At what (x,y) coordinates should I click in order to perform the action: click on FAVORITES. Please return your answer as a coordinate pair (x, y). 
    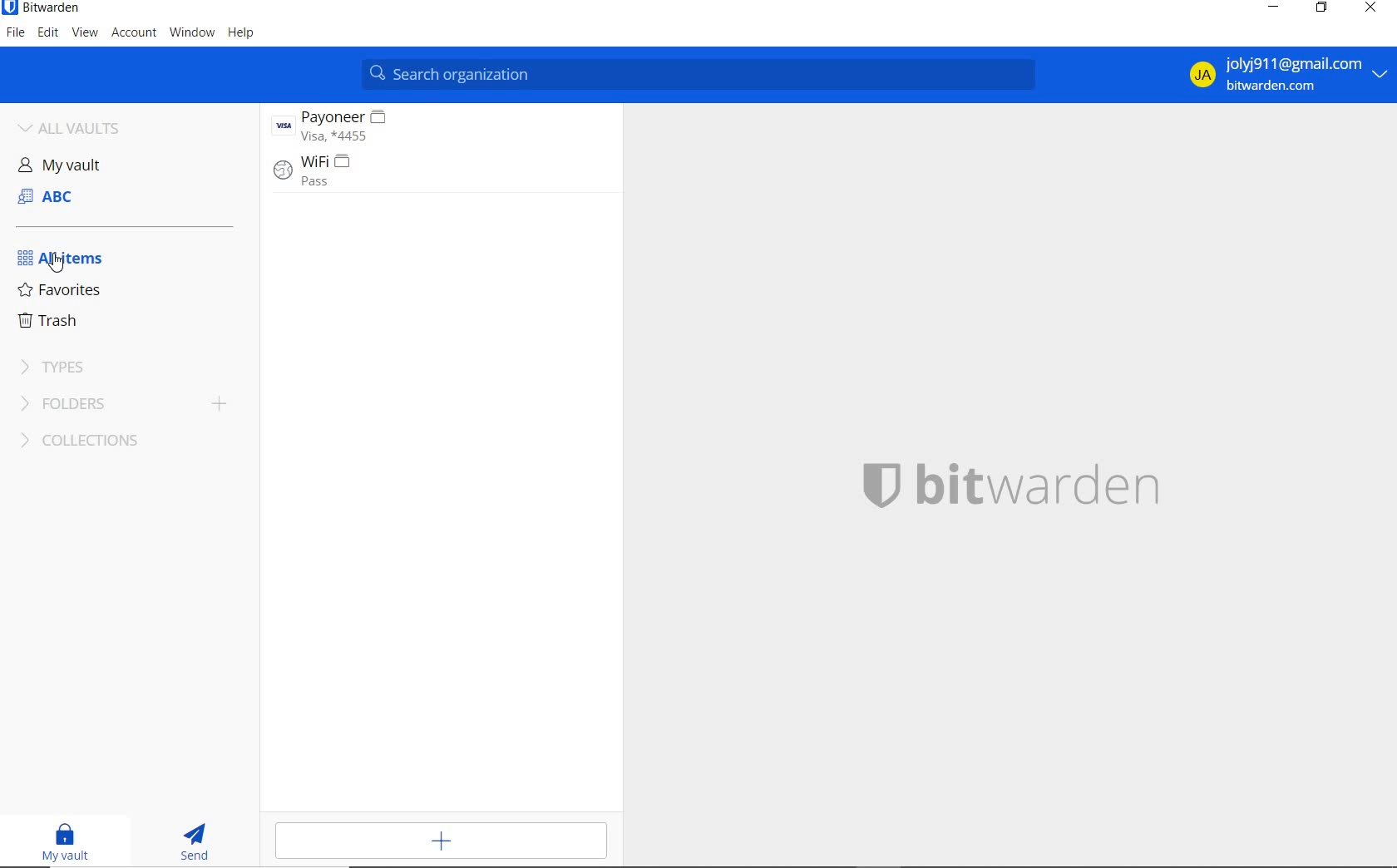
    Looking at the image, I should click on (63, 291).